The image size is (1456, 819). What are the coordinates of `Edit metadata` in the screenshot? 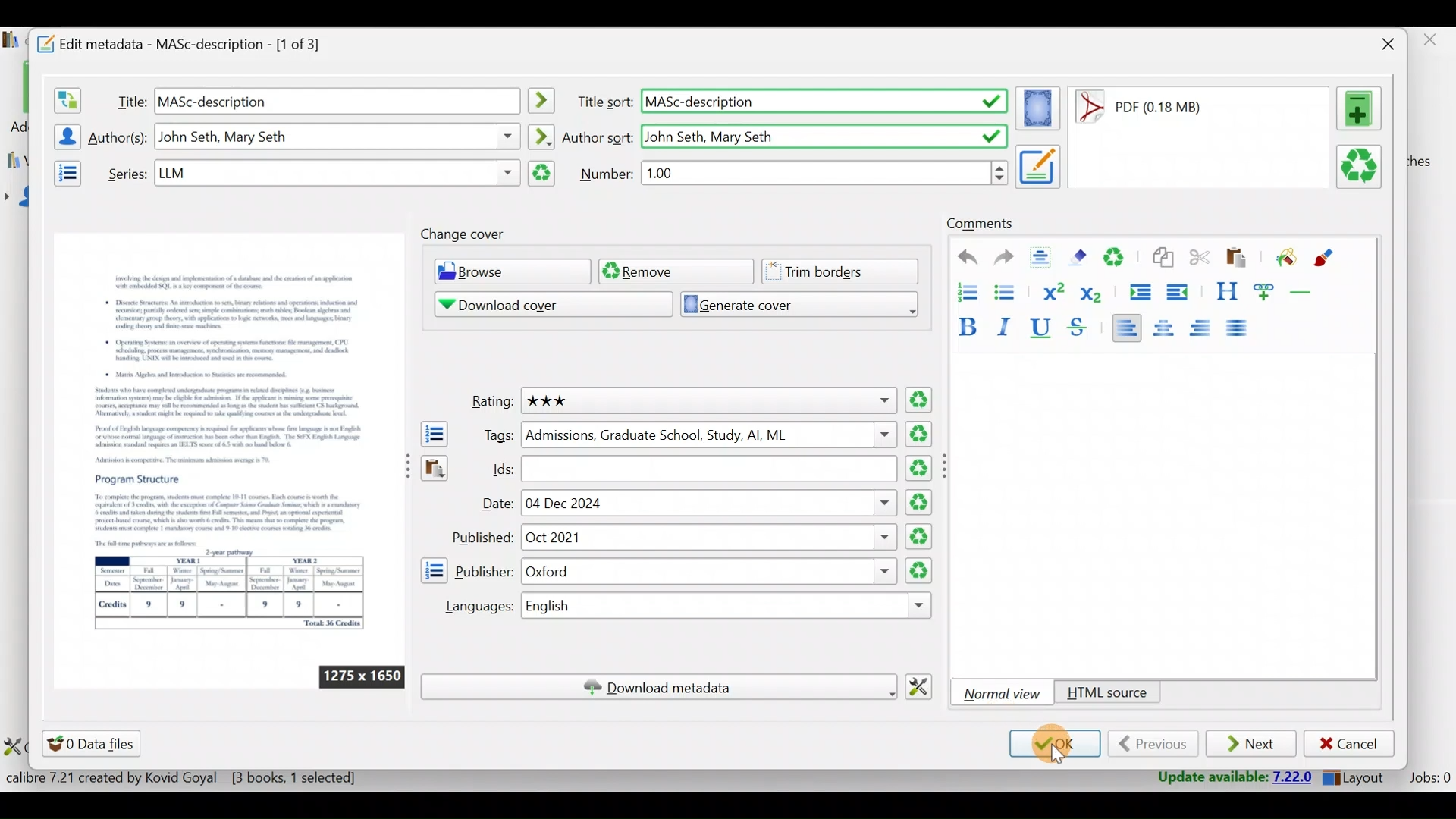 It's located at (194, 42).